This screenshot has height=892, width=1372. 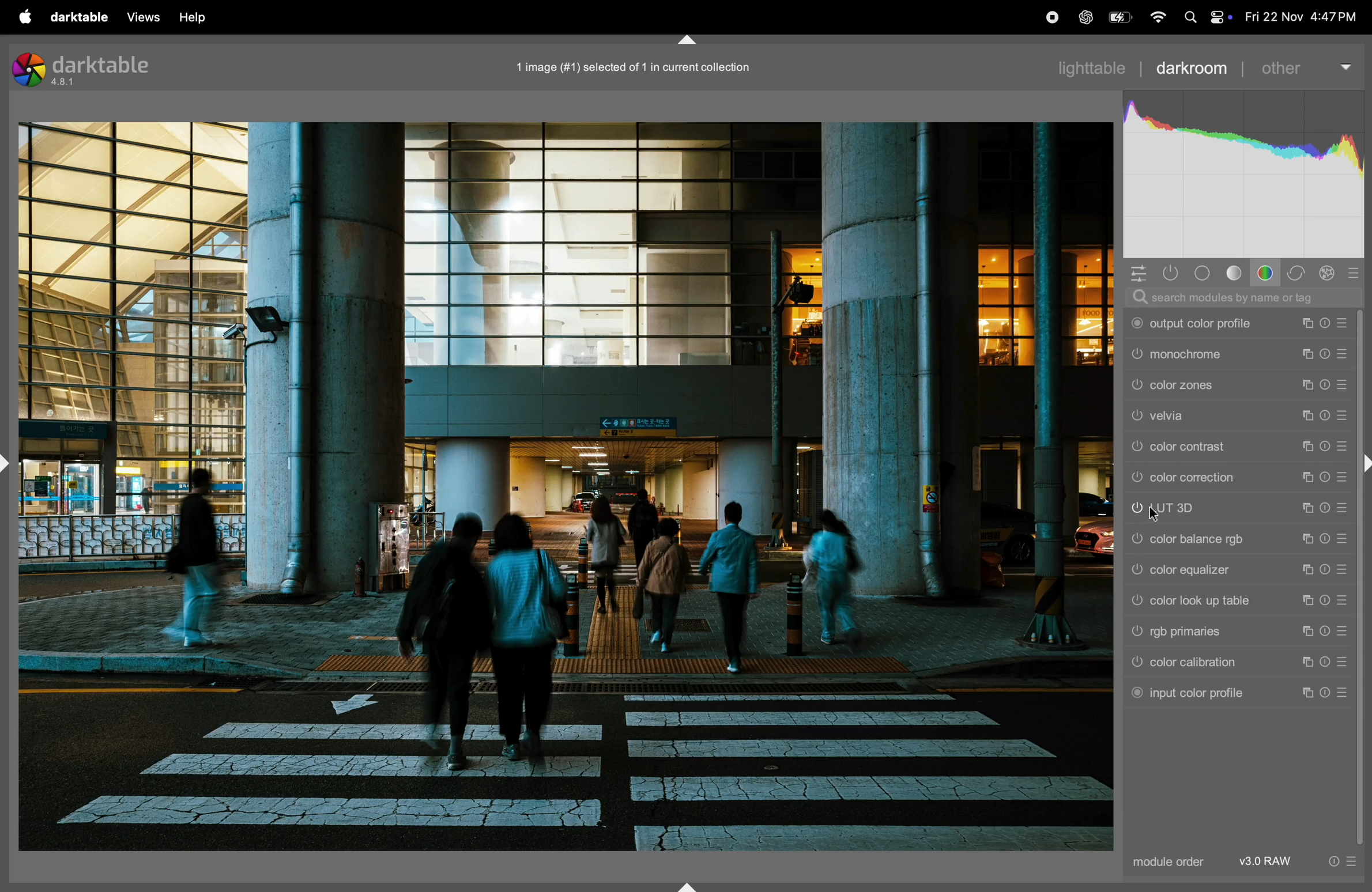 I want to click on color calibration switched off, so click(x=1135, y=662).